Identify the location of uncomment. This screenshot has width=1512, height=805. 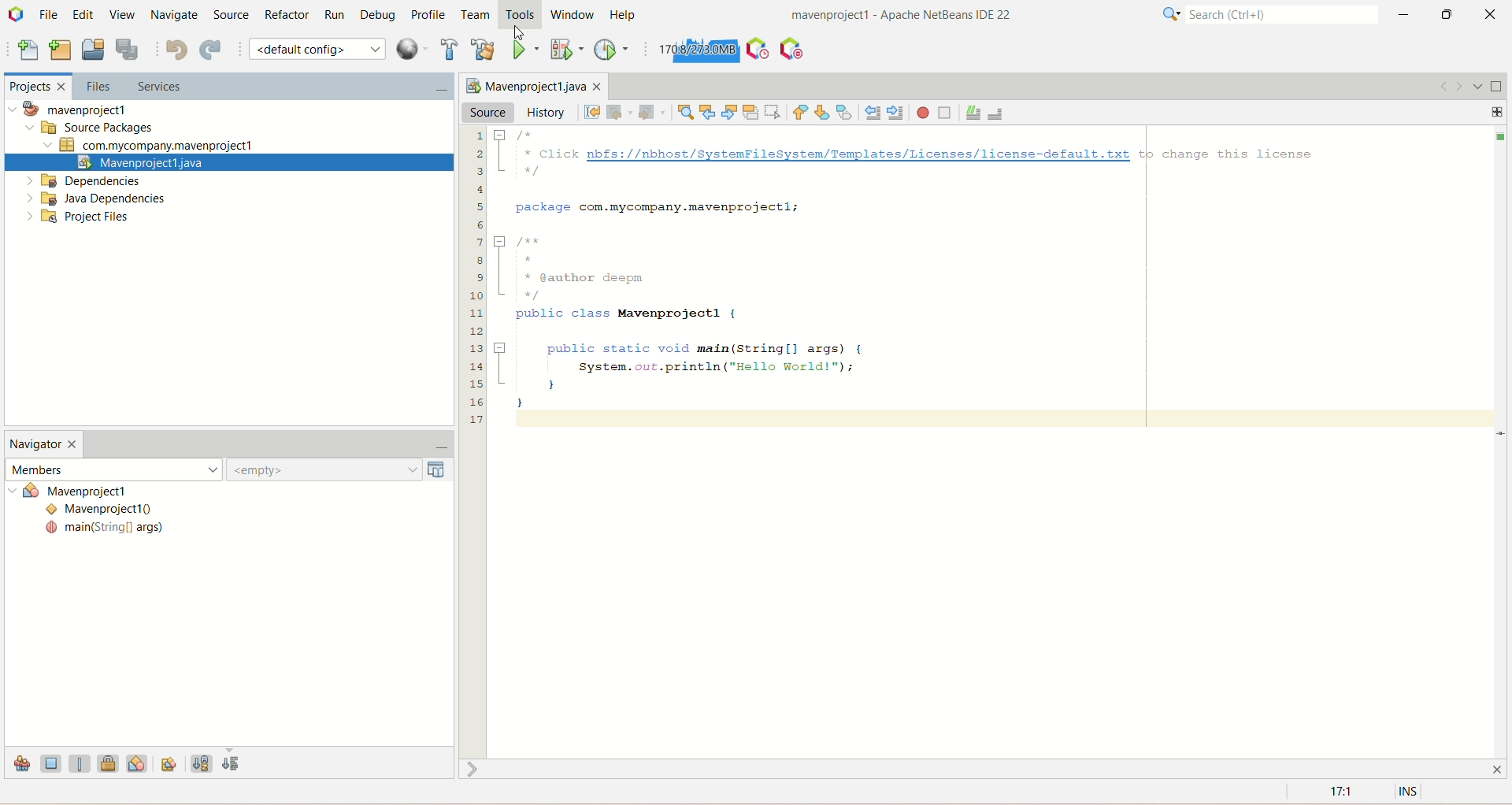
(999, 112).